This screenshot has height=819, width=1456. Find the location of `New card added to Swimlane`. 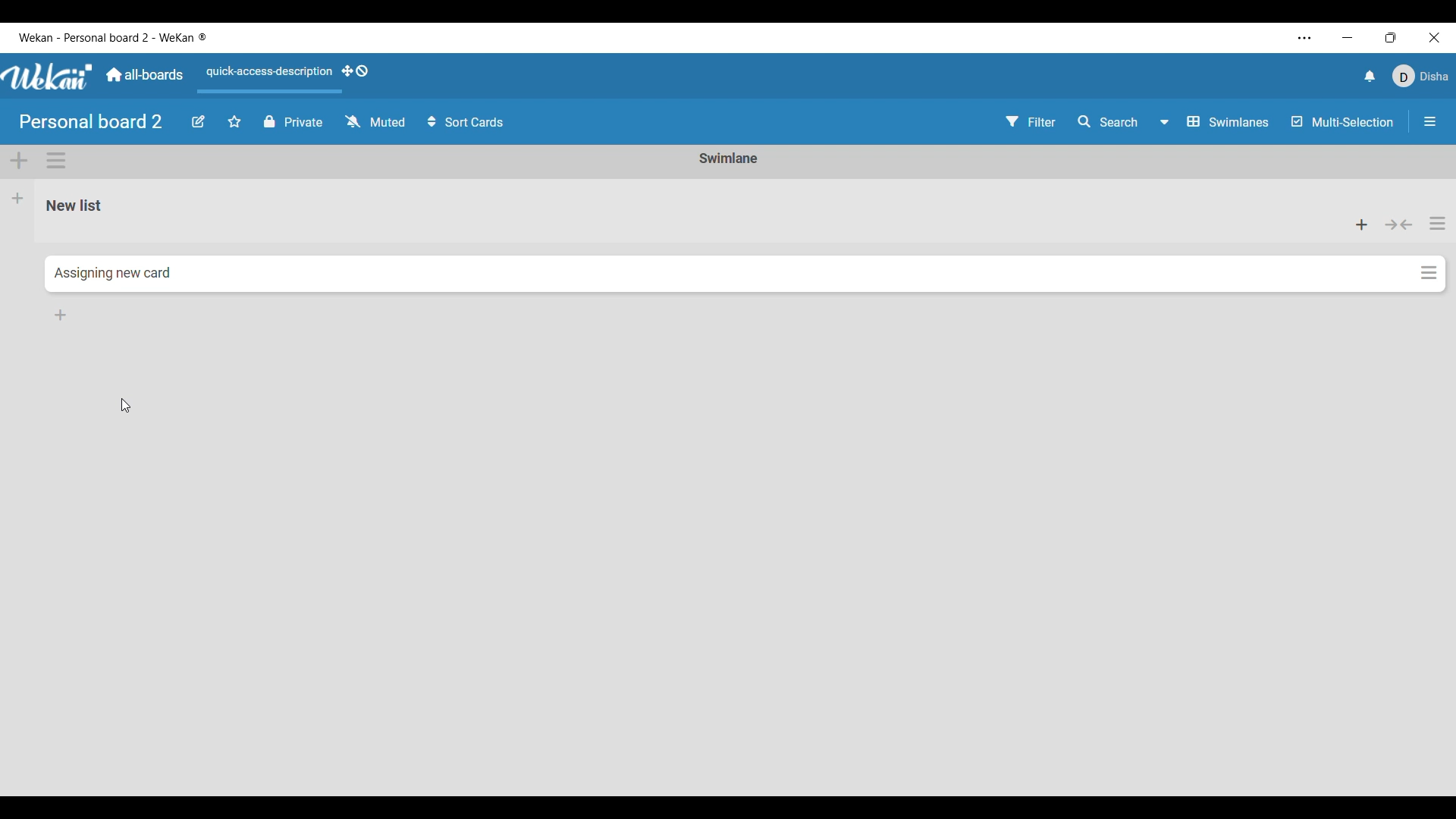

New card added to Swimlane is located at coordinates (745, 274).